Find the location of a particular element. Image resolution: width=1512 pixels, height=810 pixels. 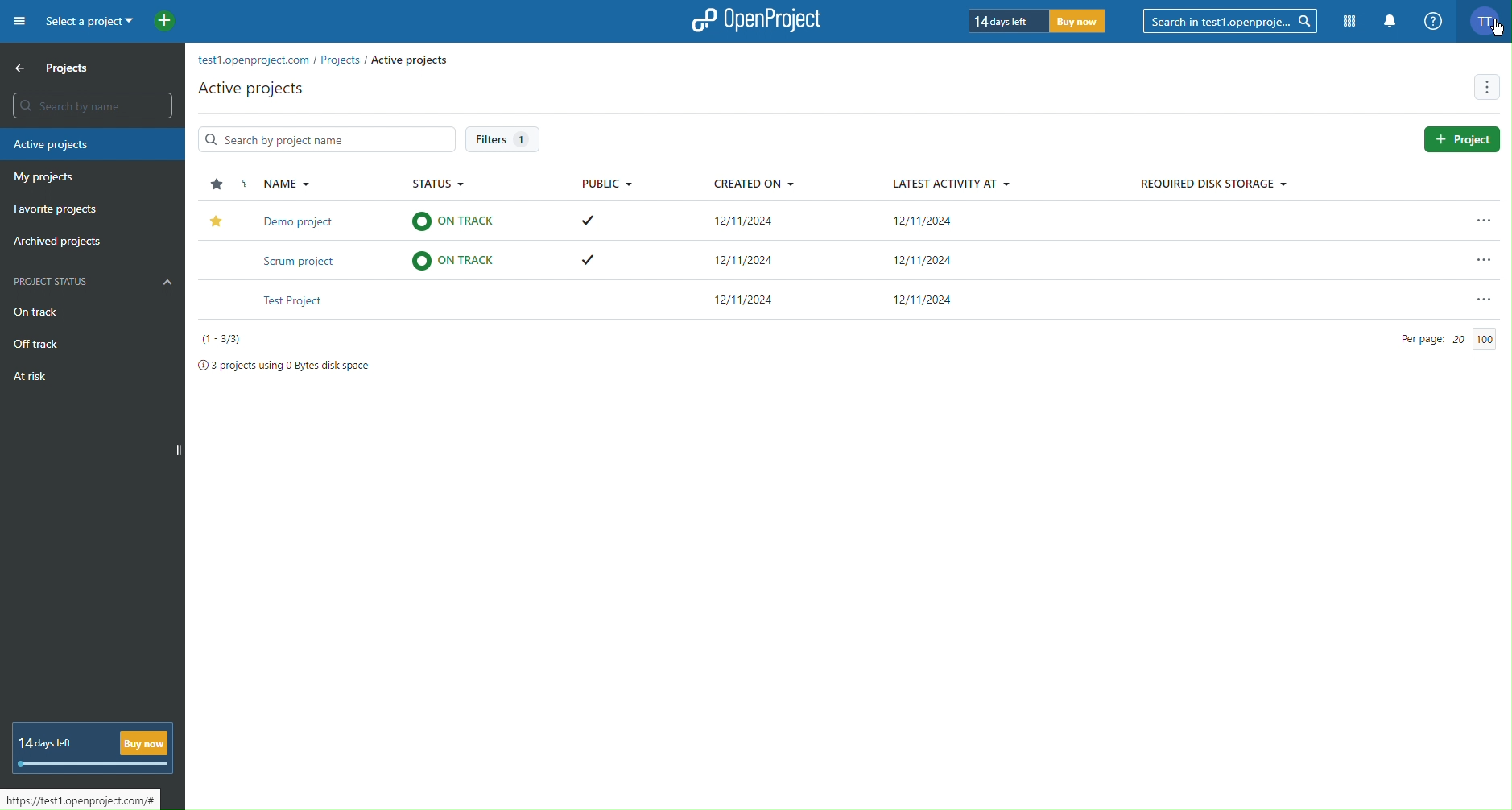

Link is located at coordinates (81, 799).